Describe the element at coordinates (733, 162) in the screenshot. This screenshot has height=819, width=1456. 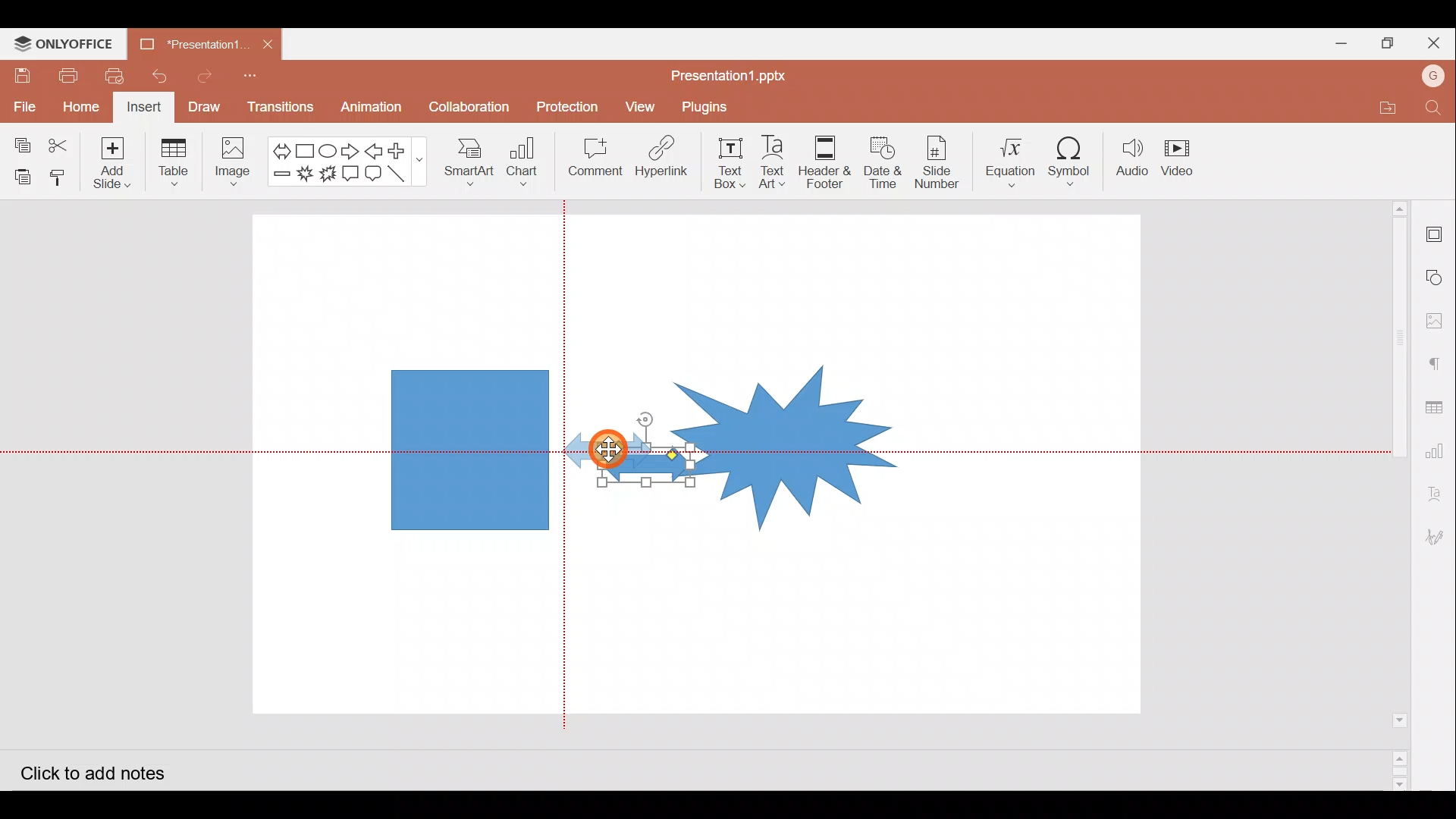
I see `Text box` at that location.